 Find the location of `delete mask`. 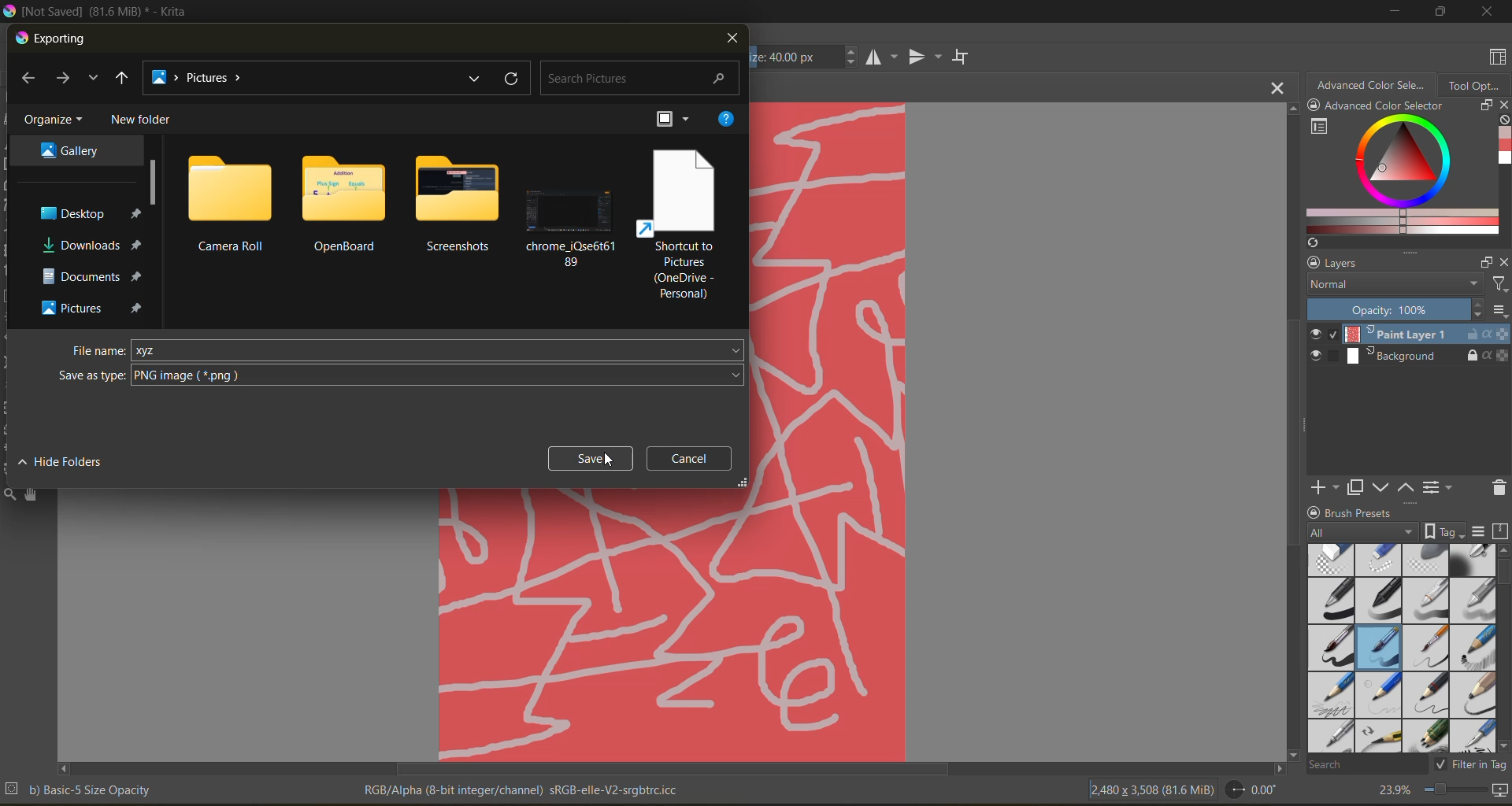

delete mask is located at coordinates (1499, 490).